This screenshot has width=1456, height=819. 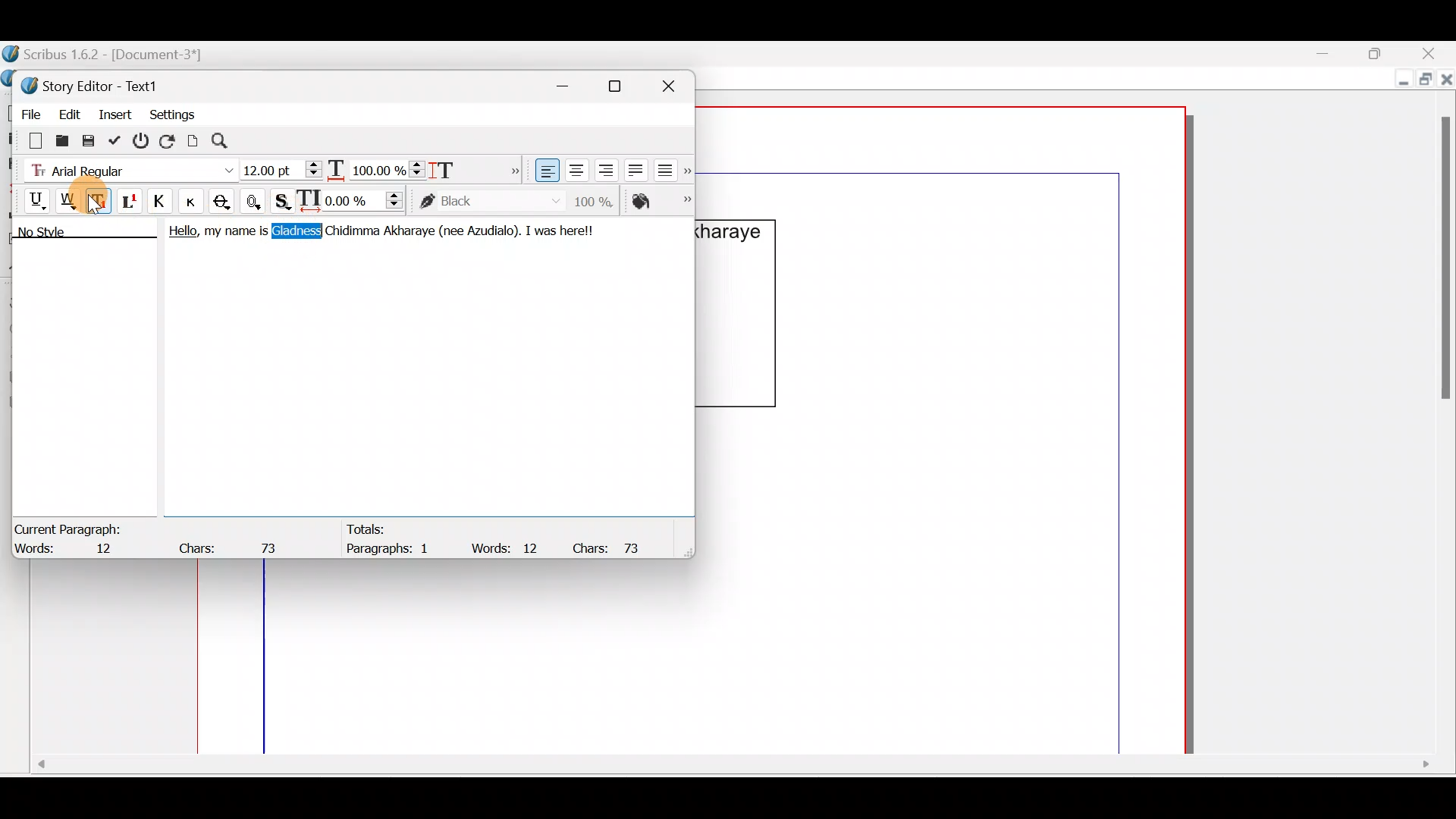 What do you see at coordinates (1423, 81) in the screenshot?
I see `Maximize` at bounding box center [1423, 81].